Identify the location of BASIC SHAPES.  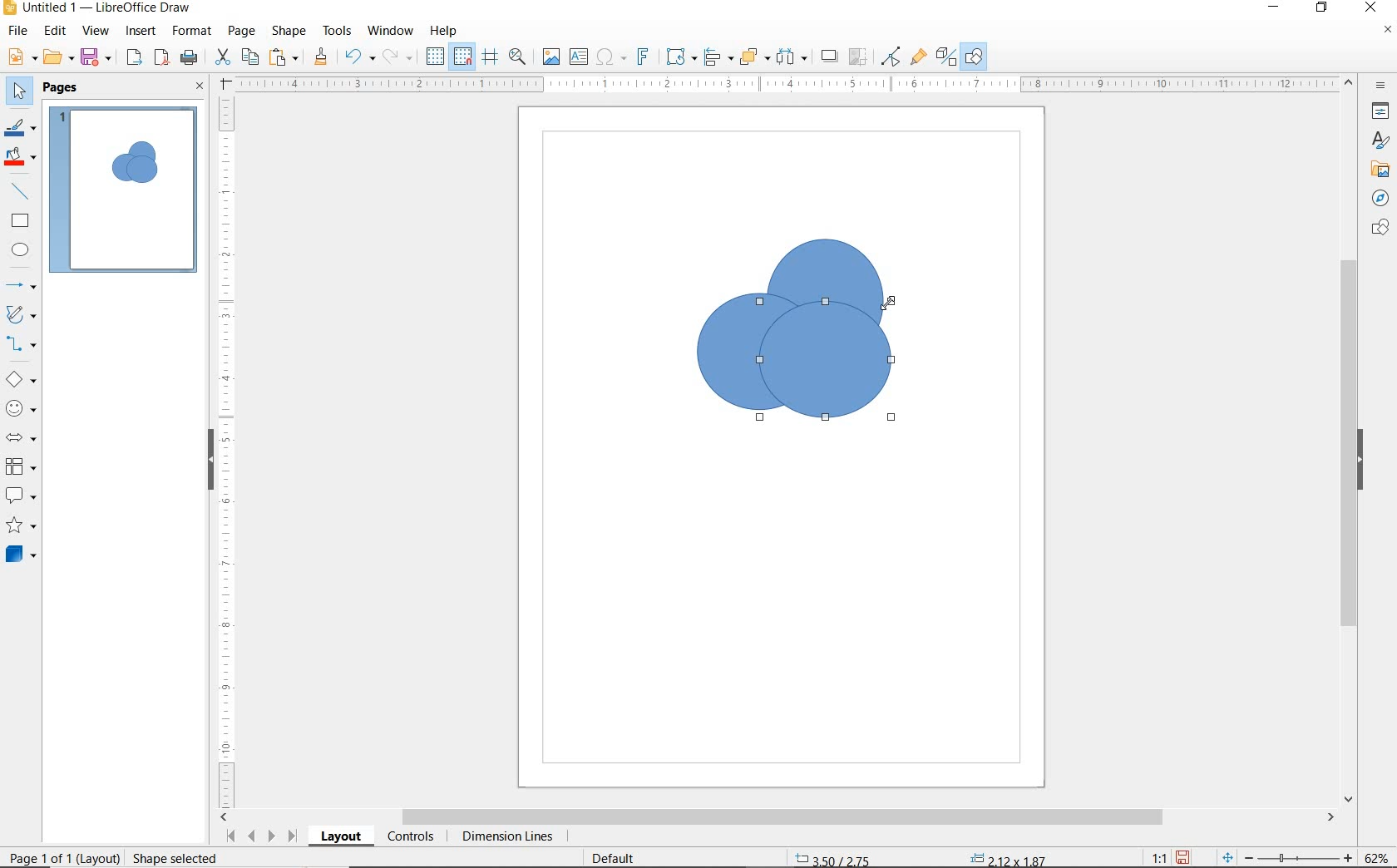
(22, 382).